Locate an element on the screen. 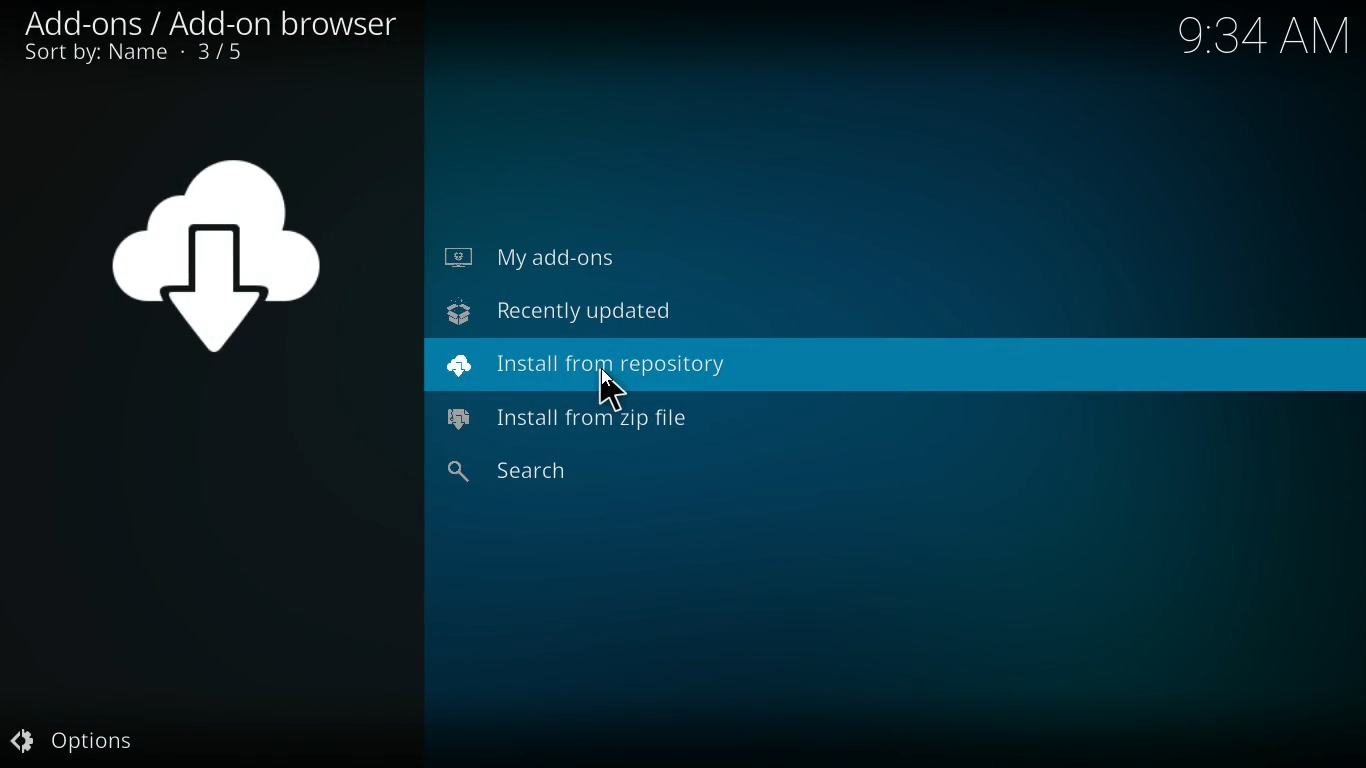 This screenshot has width=1366, height=768. install from zip file is located at coordinates (575, 419).